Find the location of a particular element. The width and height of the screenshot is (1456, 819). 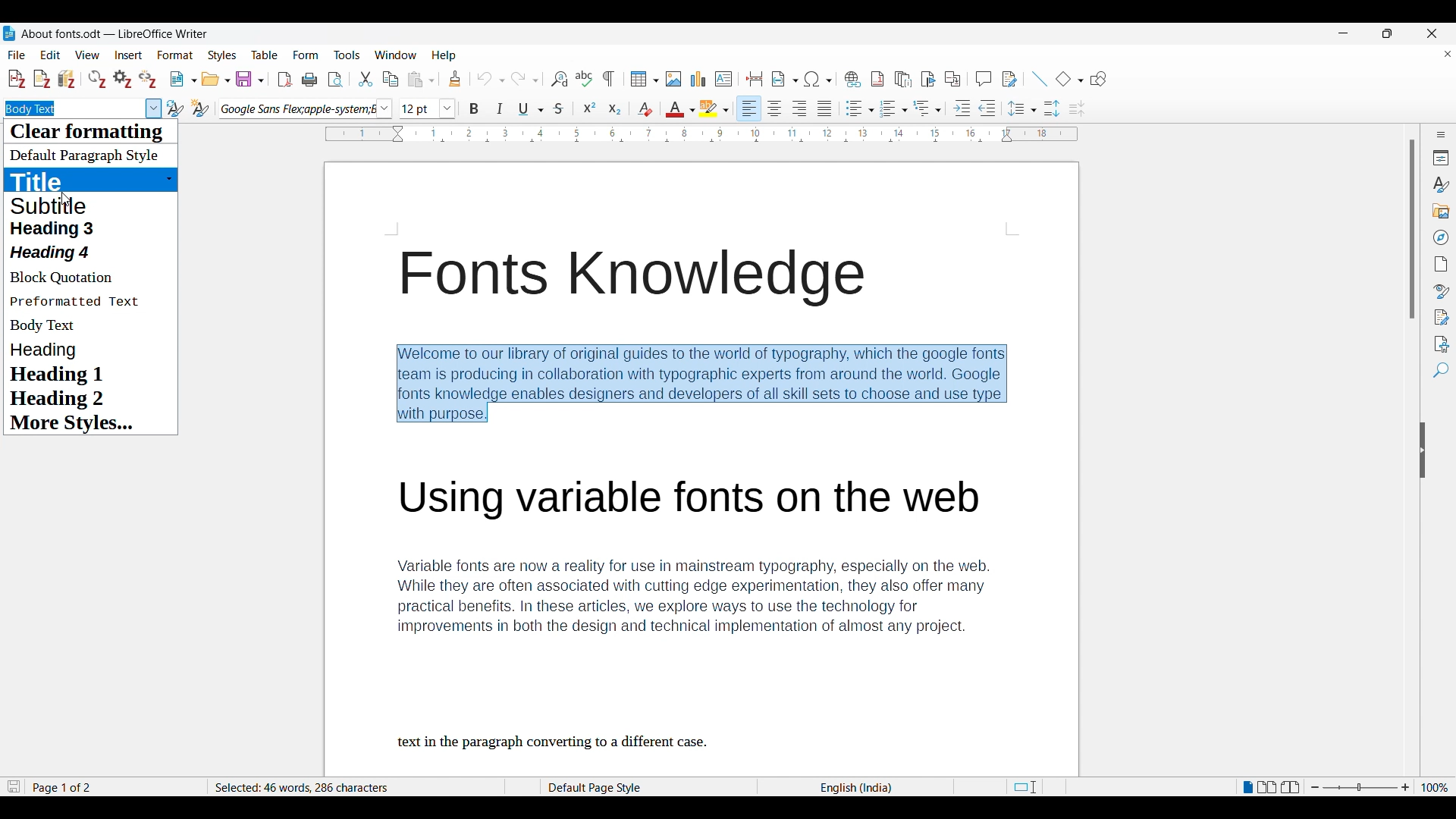

heading is located at coordinates (53, 350).